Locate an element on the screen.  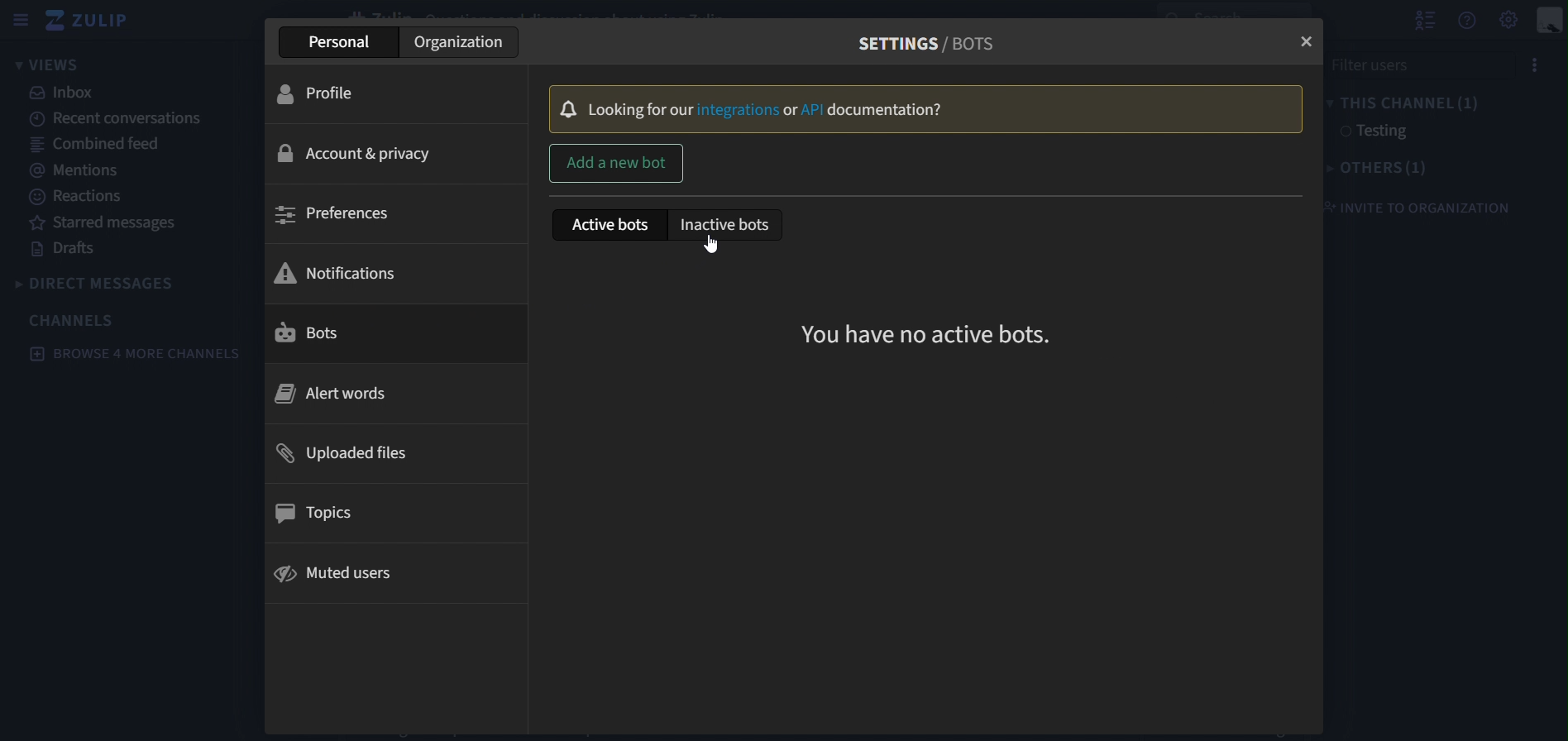
filter users is located at coordinates (1405, 64).